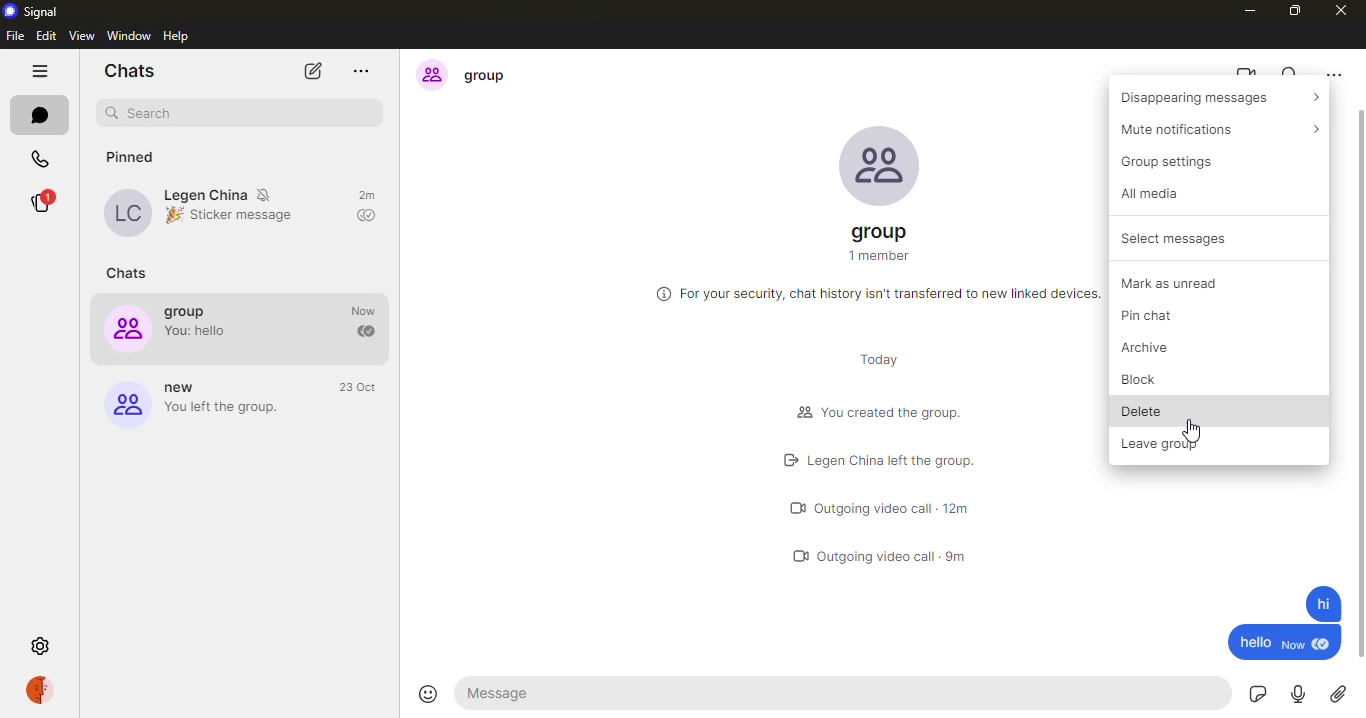 This screenshot has width=1366, height=718. What do you see at coordinates (1157, 346) in the screenshot?
I see `archive` at bounding box center [1157, 346].